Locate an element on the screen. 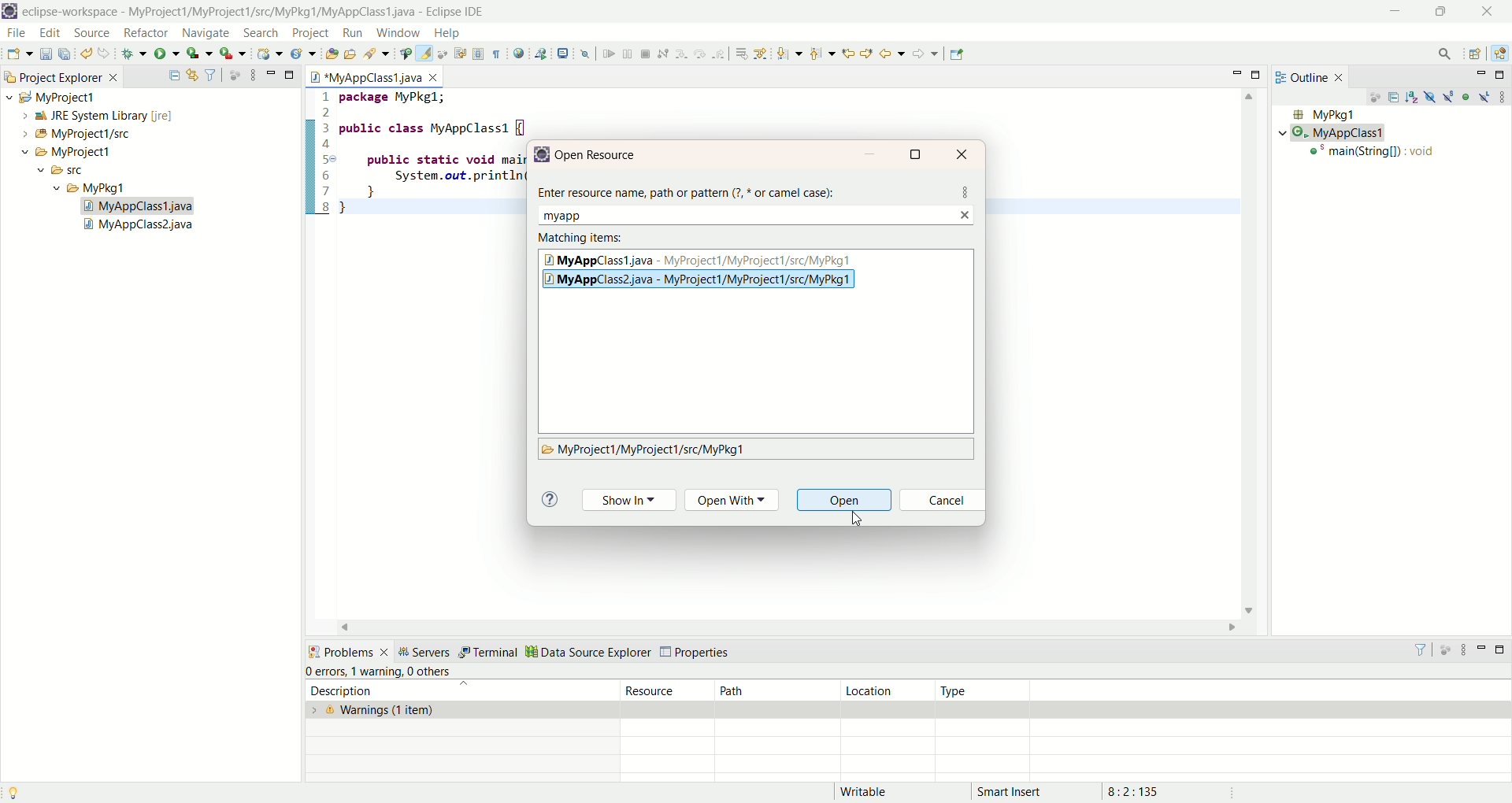 The height and width of the screenshot is (803, 1512). writable is located at coordinates (873, 792).